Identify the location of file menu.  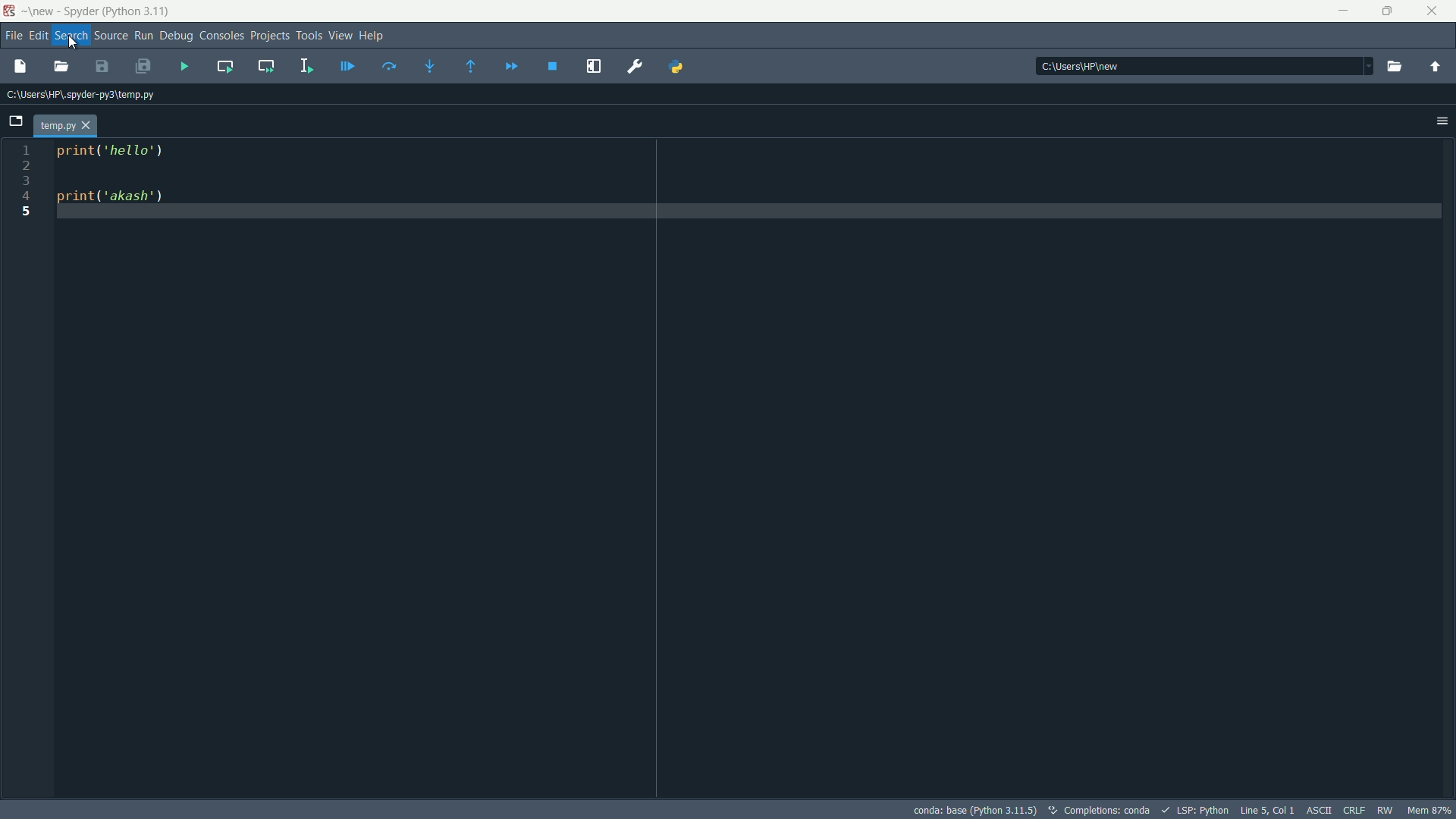
(12, 35).